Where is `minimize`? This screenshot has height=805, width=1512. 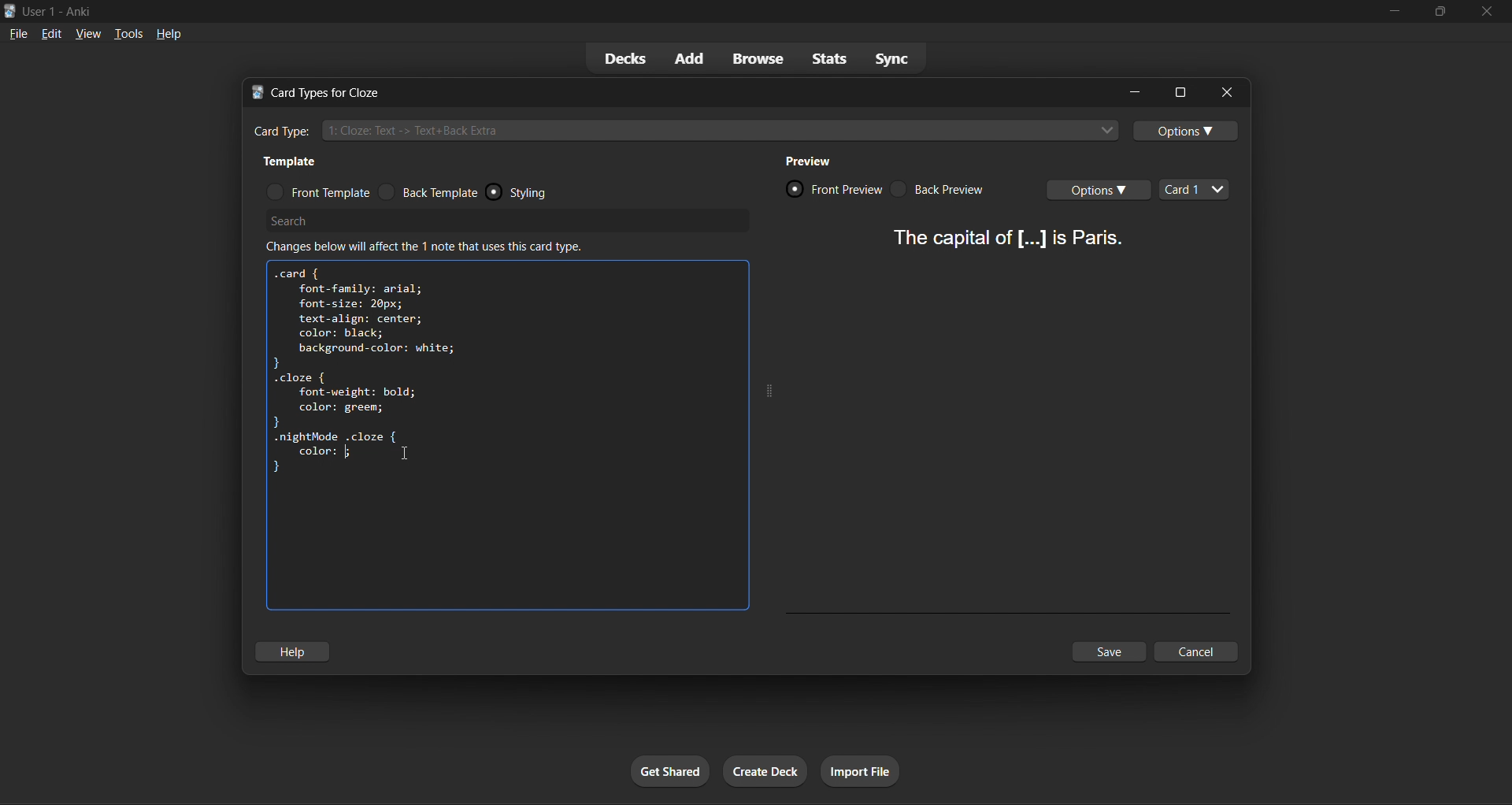
minimize is located at coordinates (1135, 91).